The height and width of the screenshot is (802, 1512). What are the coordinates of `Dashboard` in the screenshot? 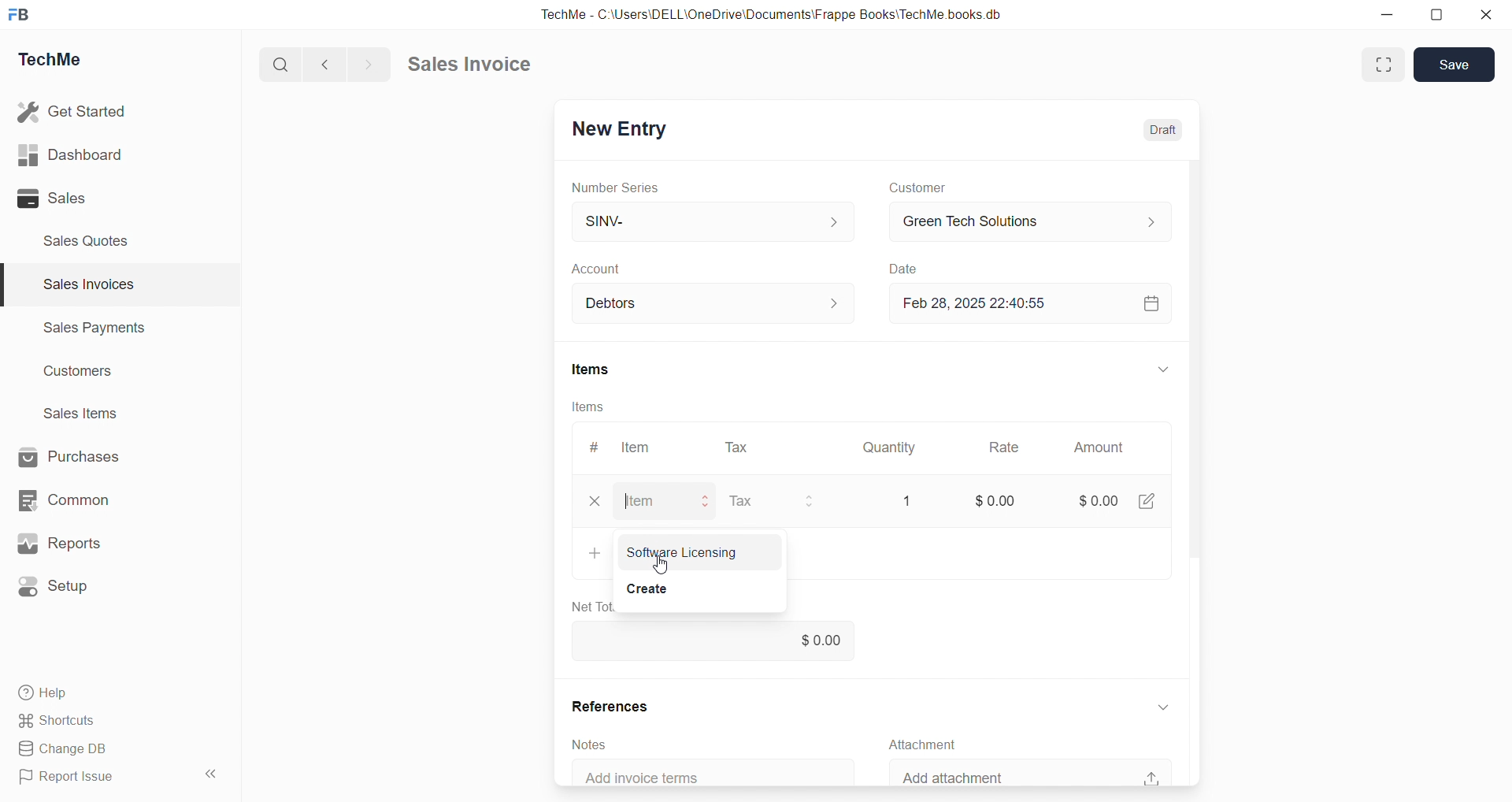 It's located at (70, 154).